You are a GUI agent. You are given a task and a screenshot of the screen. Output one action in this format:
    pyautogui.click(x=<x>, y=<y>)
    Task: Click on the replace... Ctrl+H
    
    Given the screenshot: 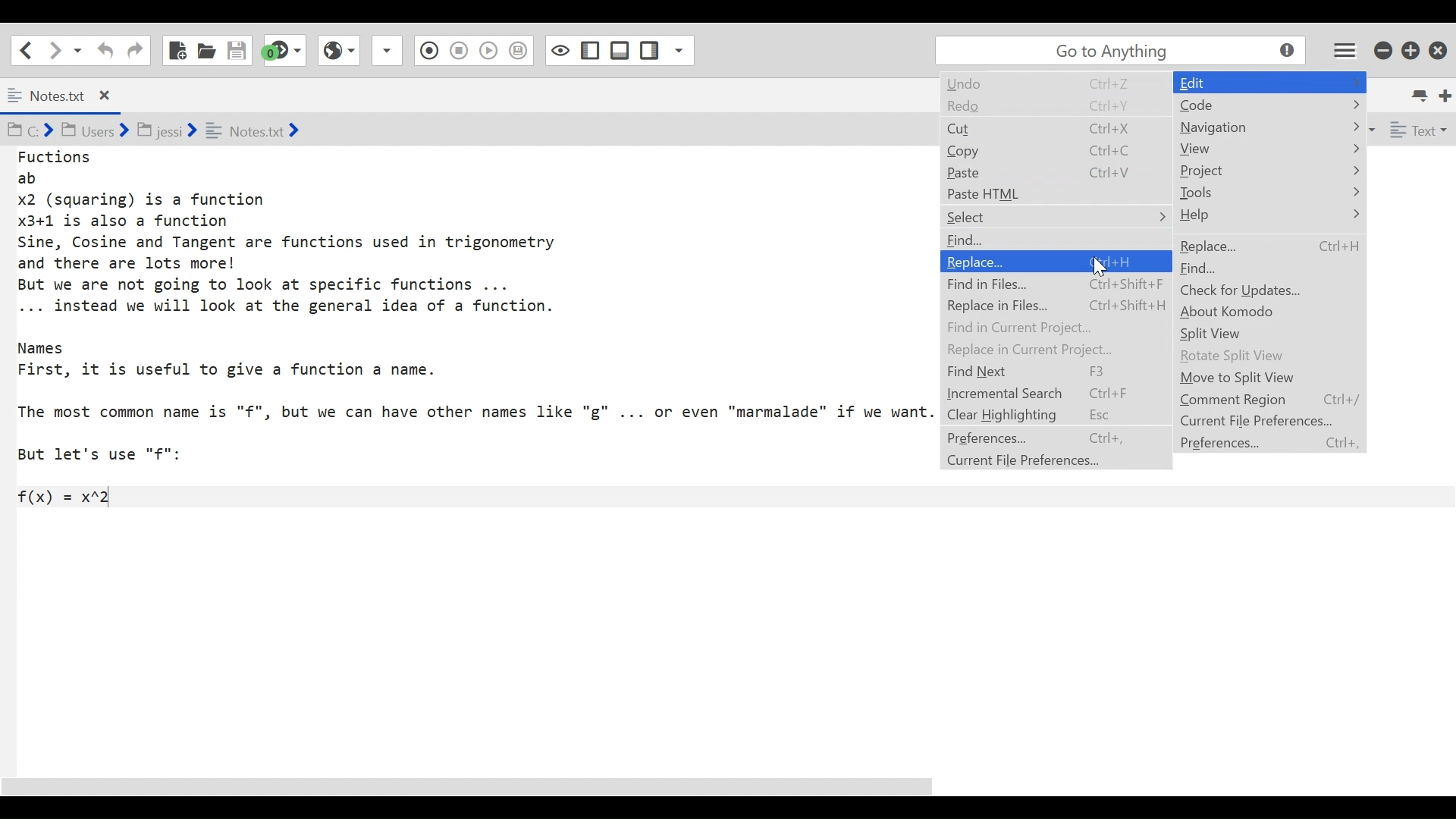 What is the action you would take?
    pyautogui.click(x=1278, y=244)
    